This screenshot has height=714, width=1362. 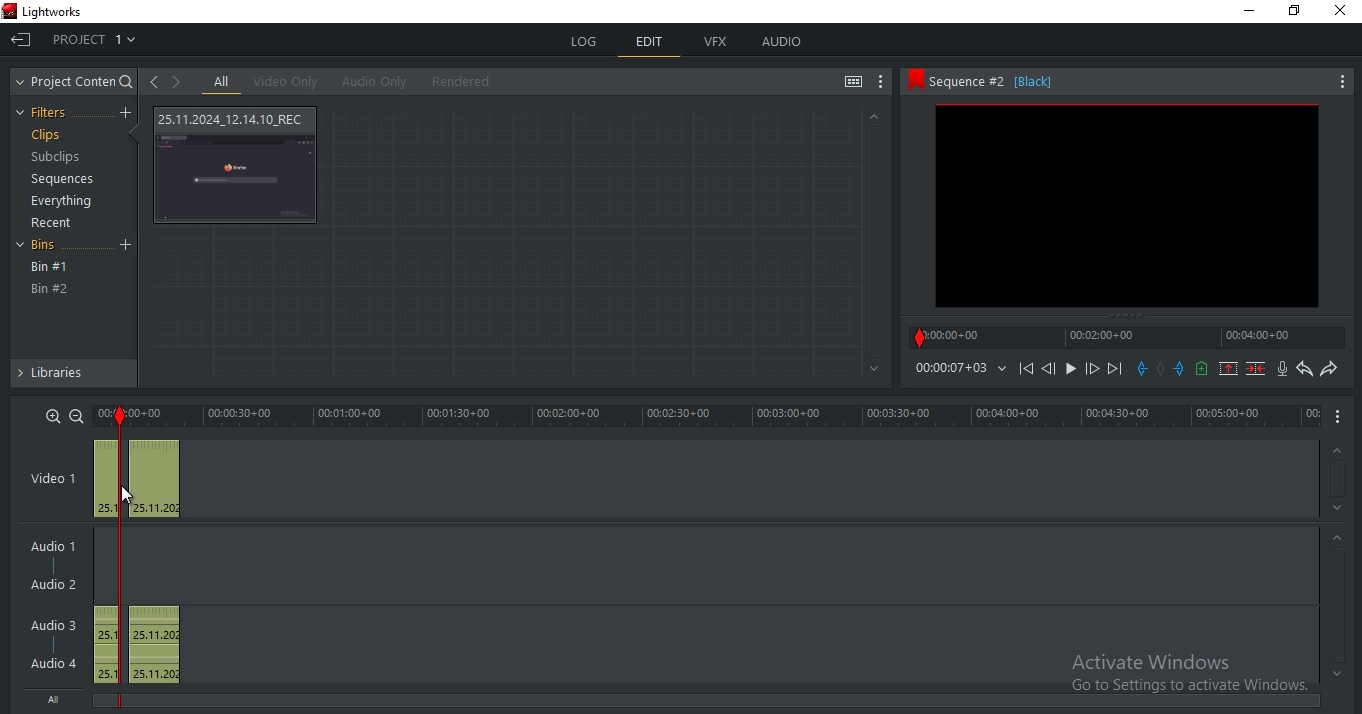 What do you see at coordinates (65, 200) in the screenshot?
I see `everything` at bounding box center [65, 200].